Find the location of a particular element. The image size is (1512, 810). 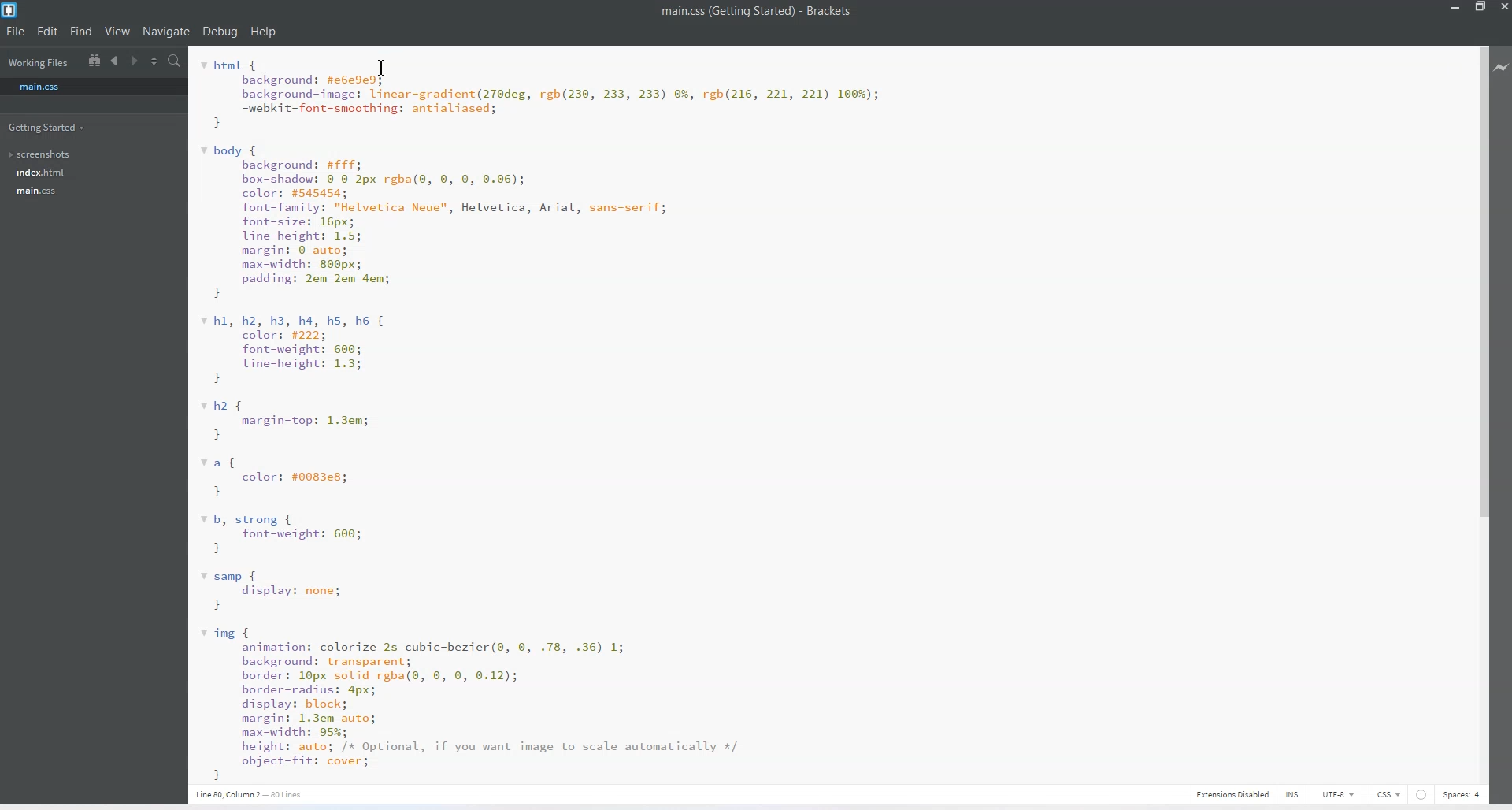

Navigate to Backward is located at coordinates (116, 61).